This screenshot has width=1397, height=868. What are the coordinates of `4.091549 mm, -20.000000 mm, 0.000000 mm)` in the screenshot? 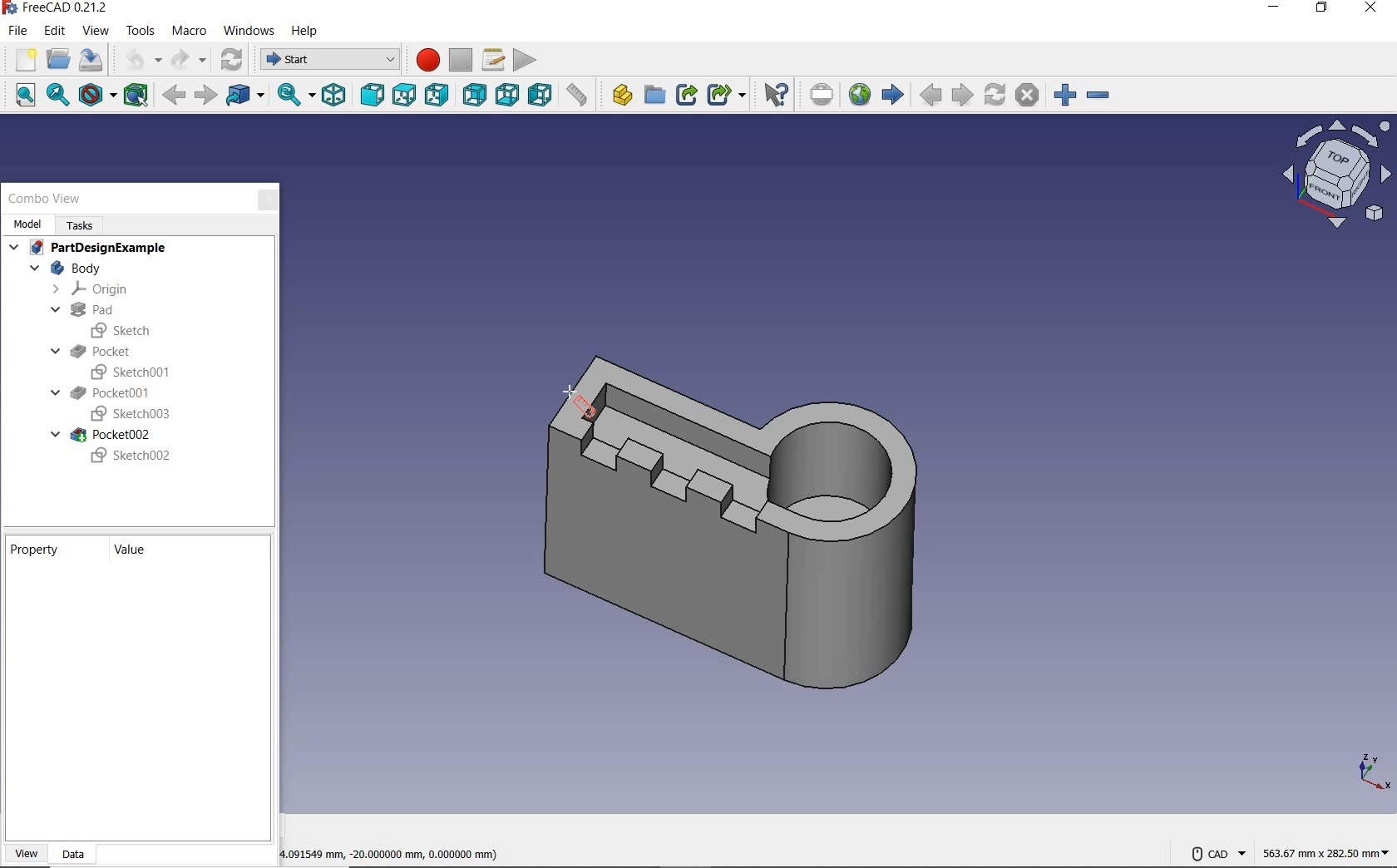 It's located at (412, 852).